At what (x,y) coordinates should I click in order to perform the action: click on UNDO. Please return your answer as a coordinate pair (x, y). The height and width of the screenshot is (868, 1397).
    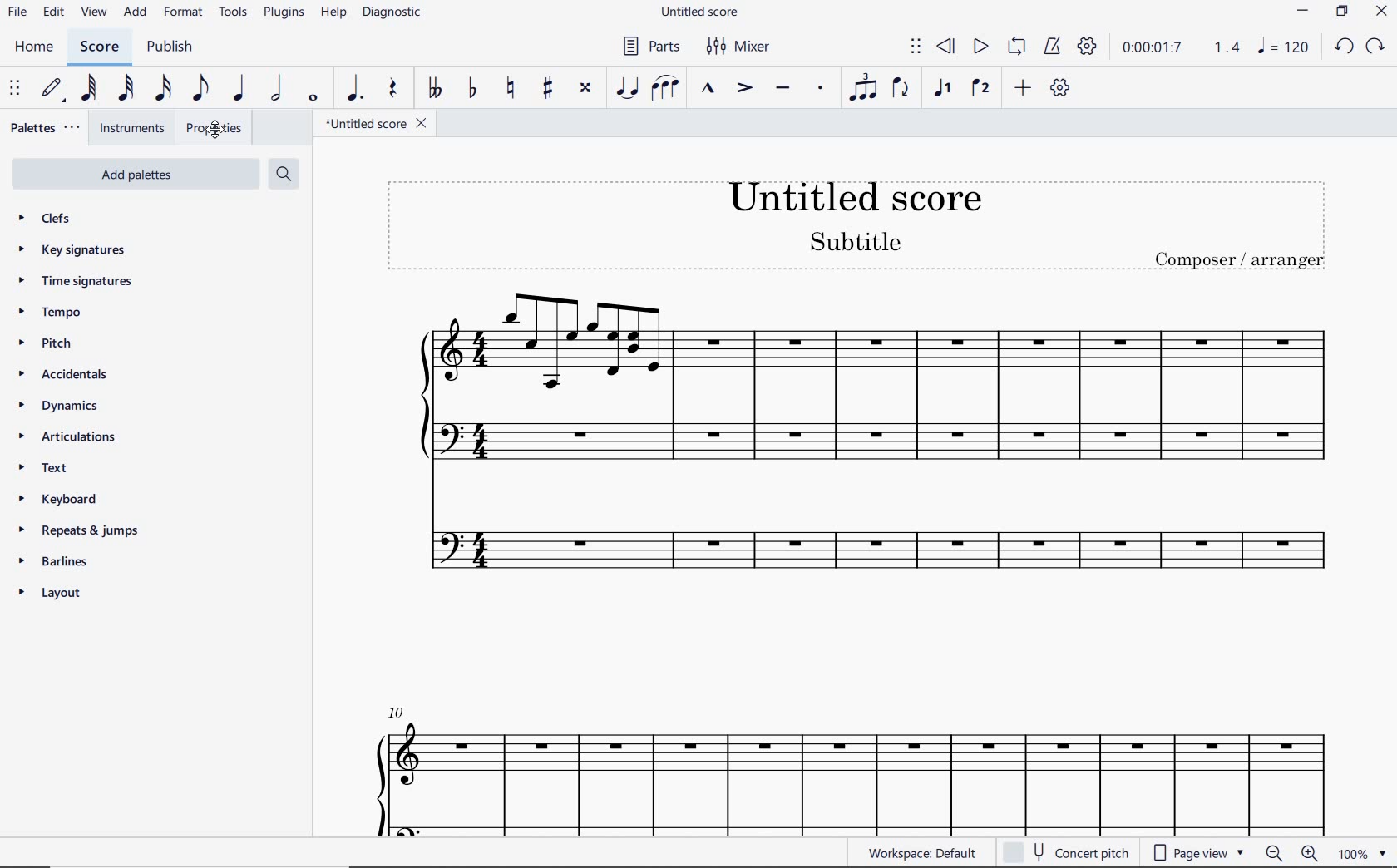
    Looking at the image, I should click on (1344, 45).